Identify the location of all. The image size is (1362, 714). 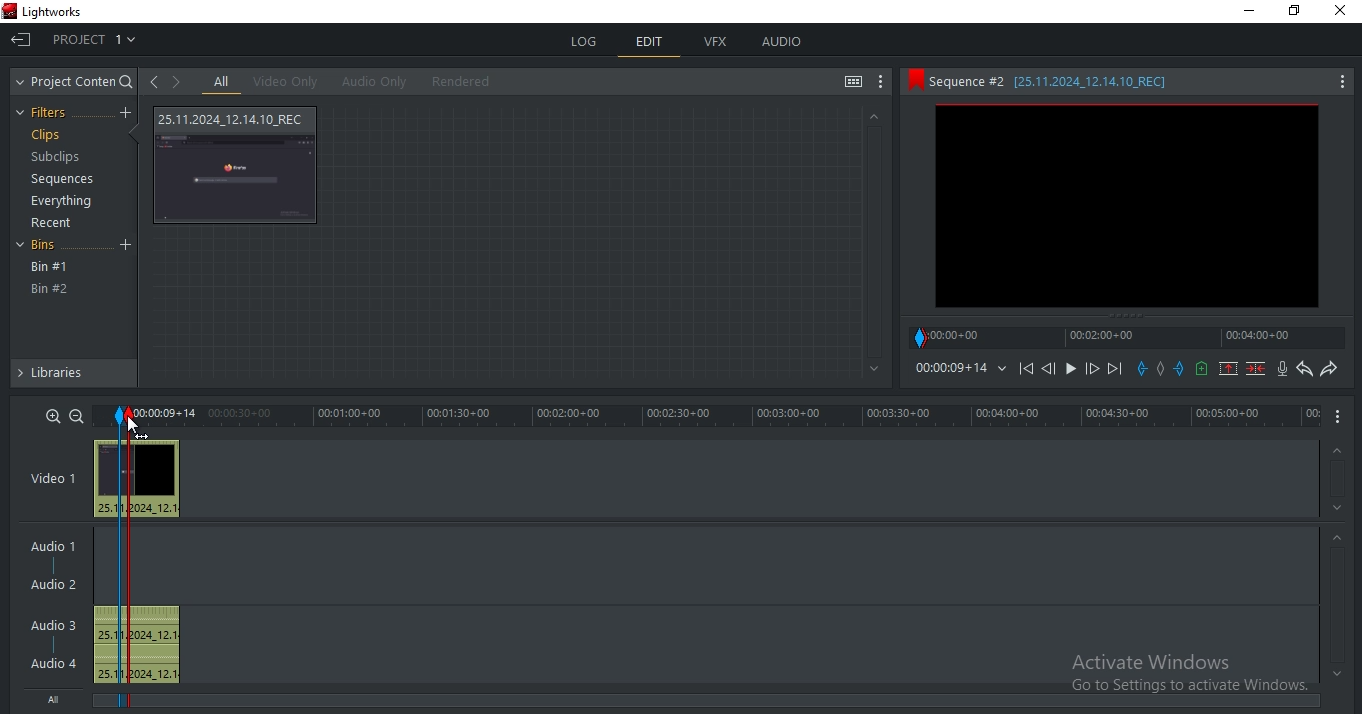
(222, 82).